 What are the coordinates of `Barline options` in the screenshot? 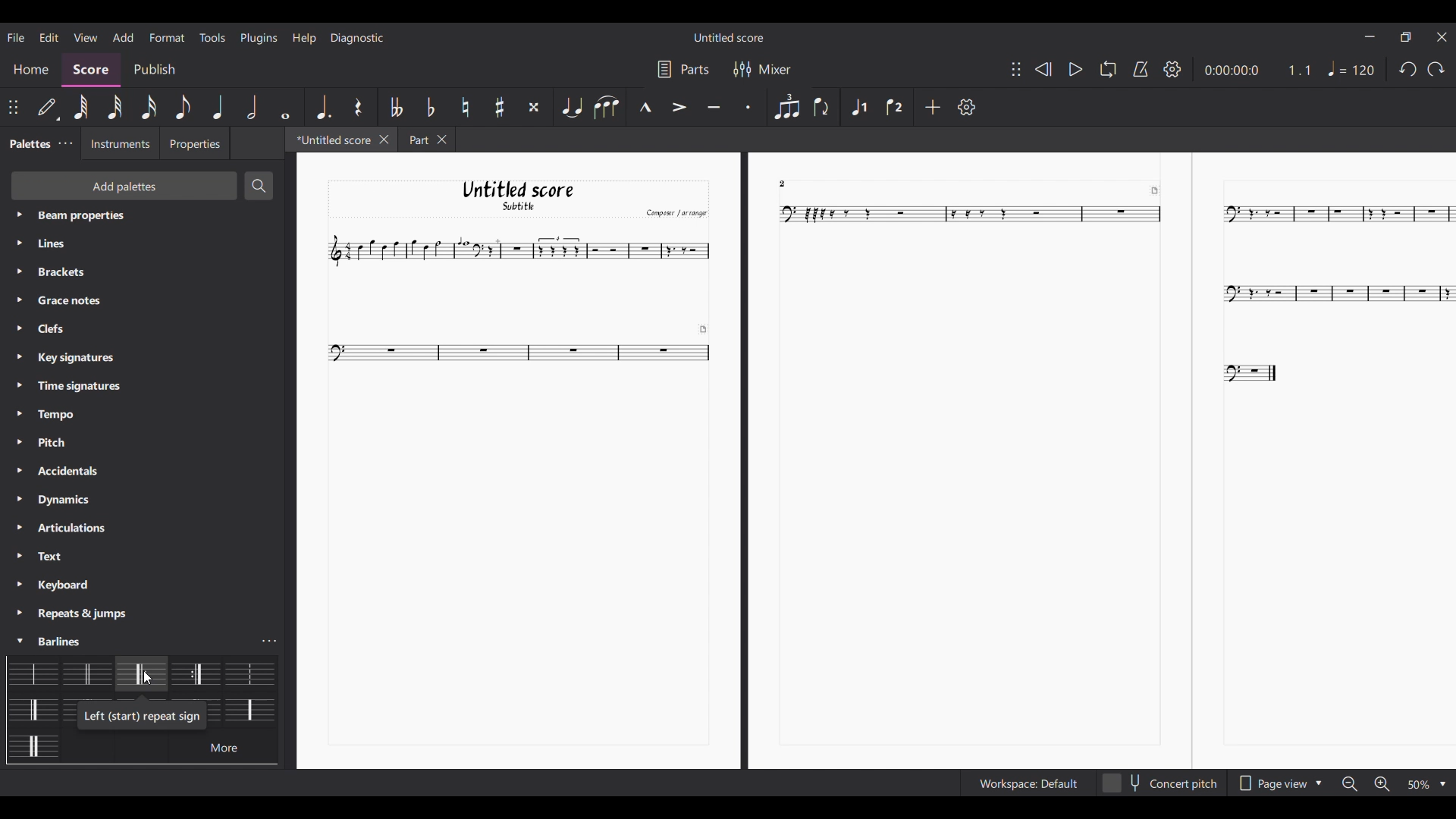 It's located at (36, 672).